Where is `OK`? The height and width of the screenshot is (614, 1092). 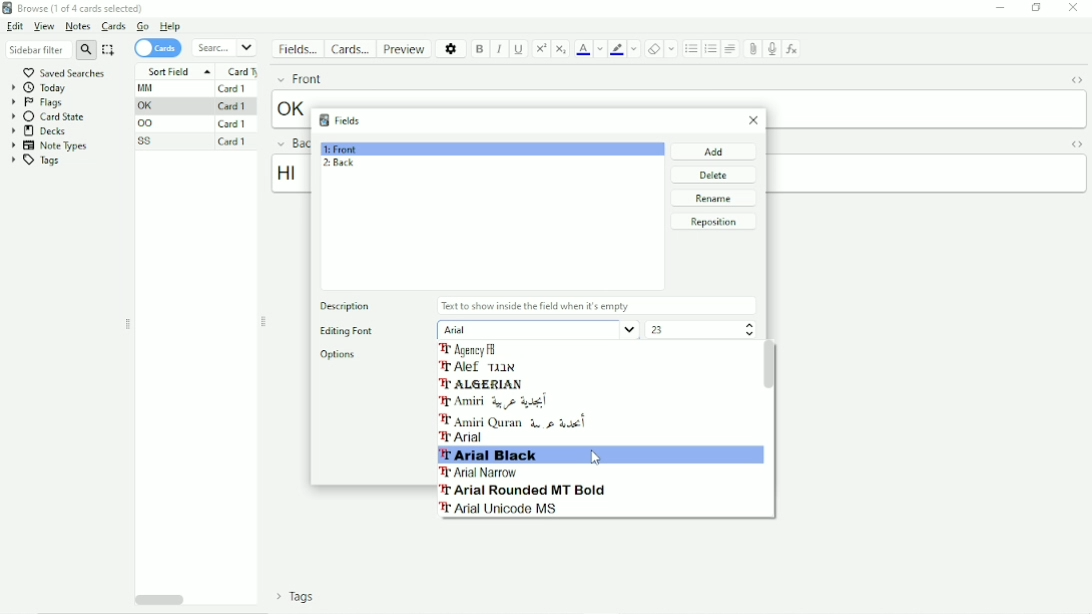
OK is located at coordinates (148, 106).